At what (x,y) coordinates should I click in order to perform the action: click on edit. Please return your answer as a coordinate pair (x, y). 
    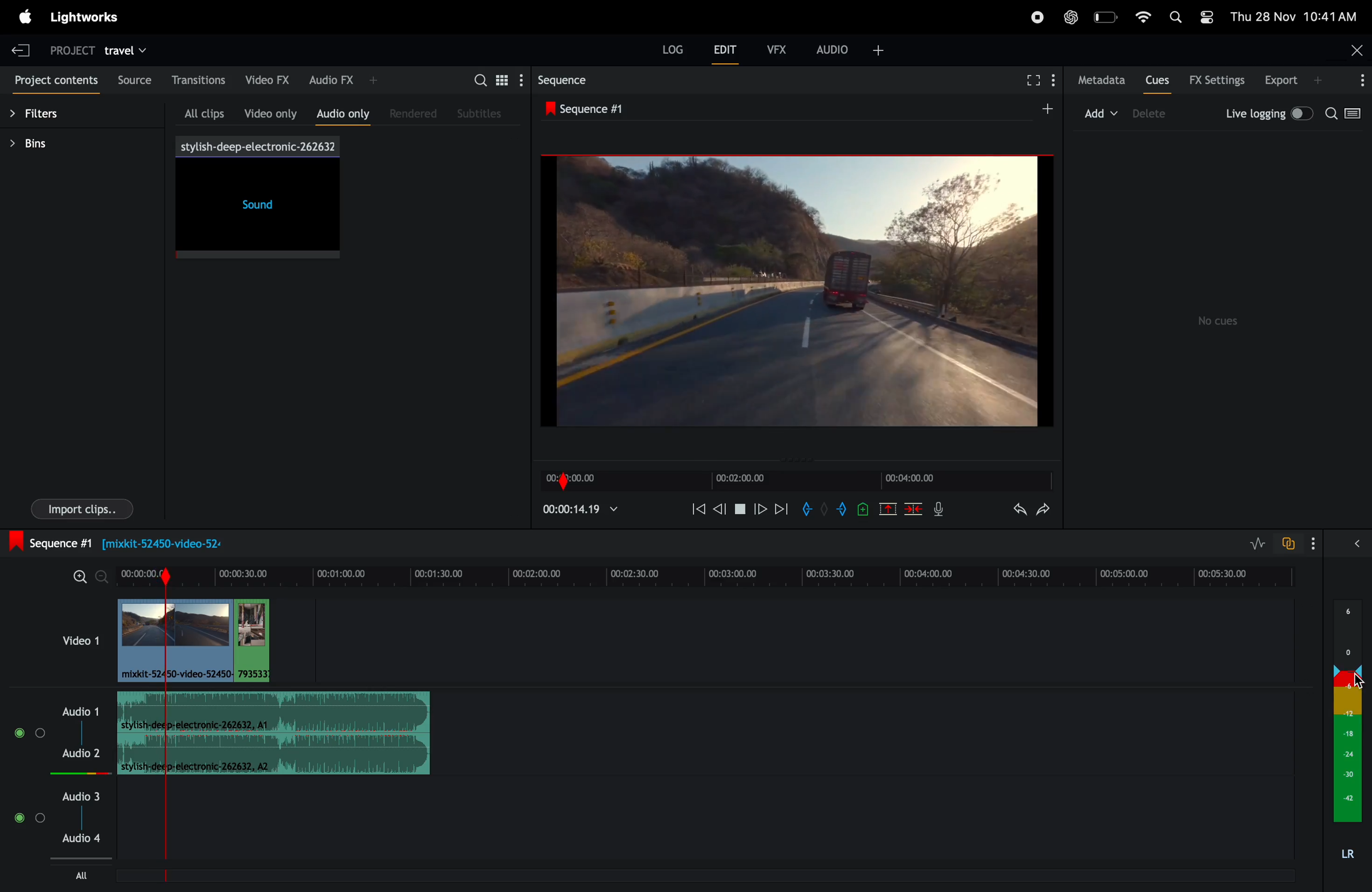
    Looking at the image, I should click on (728, 49).